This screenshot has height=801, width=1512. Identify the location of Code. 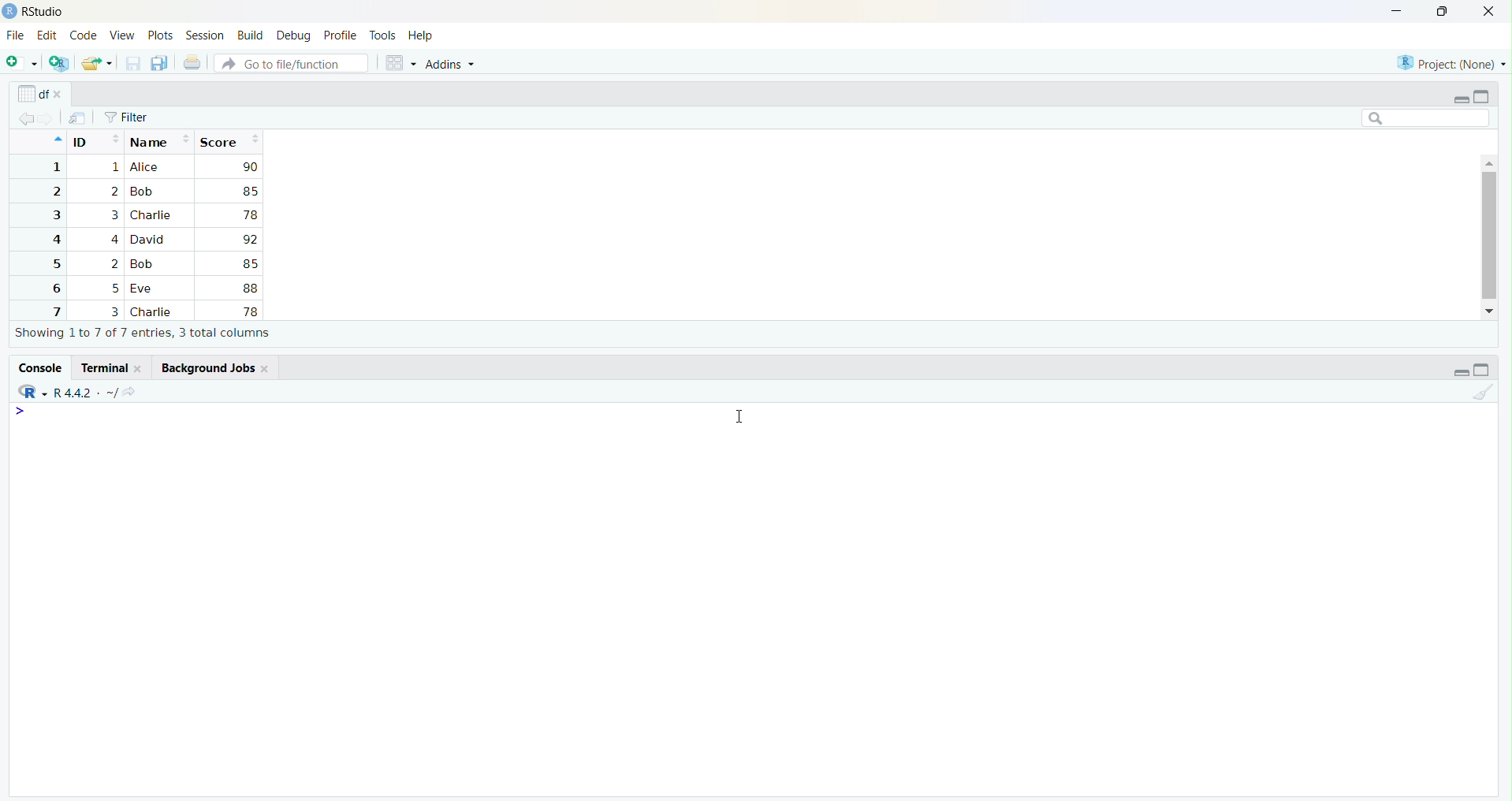
(84, 36).